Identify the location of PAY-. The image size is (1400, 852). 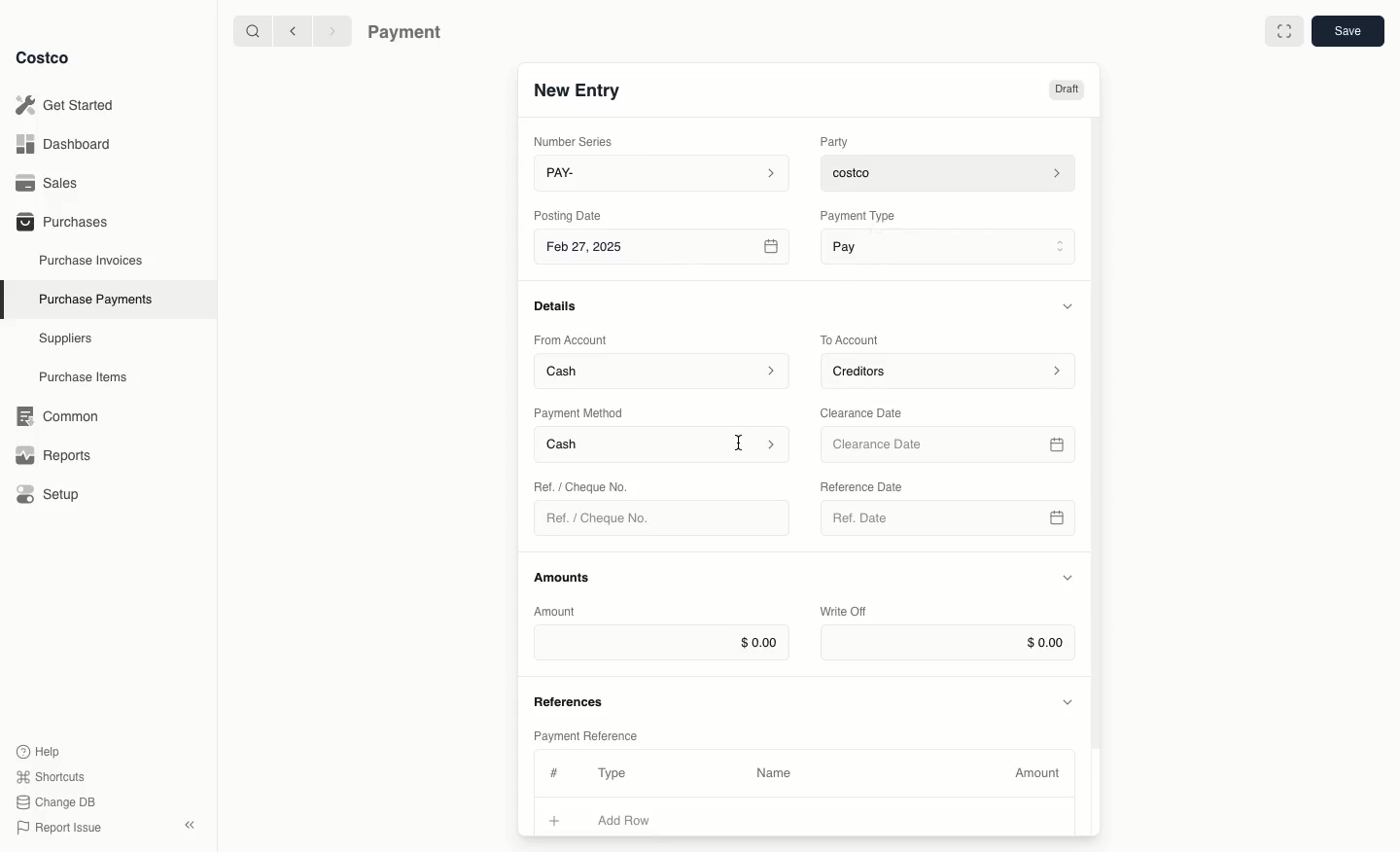
(663, 172).